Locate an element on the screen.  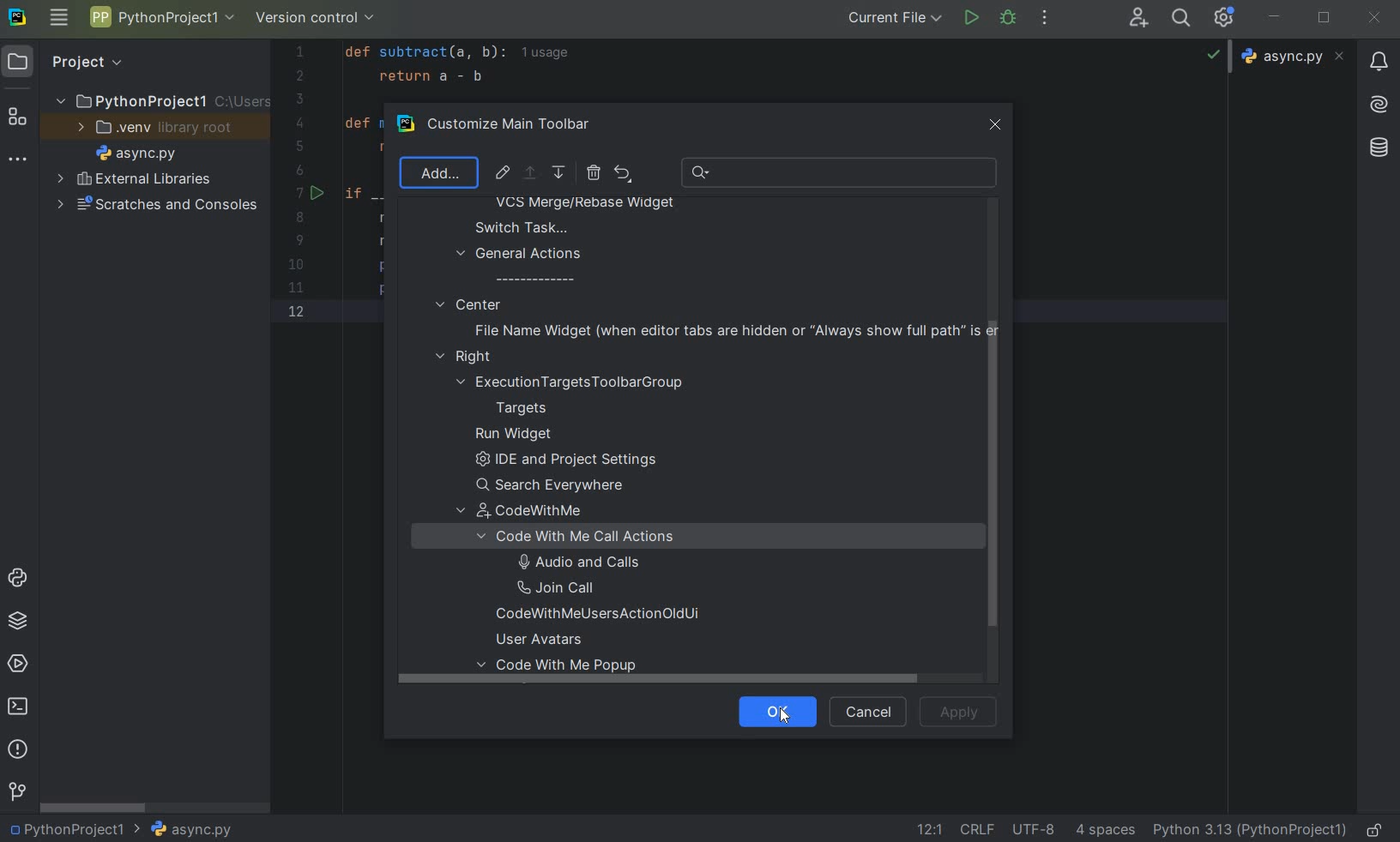
CUSTOMIZE MAIN TOOLBAR is located at coordinates (520, 125).